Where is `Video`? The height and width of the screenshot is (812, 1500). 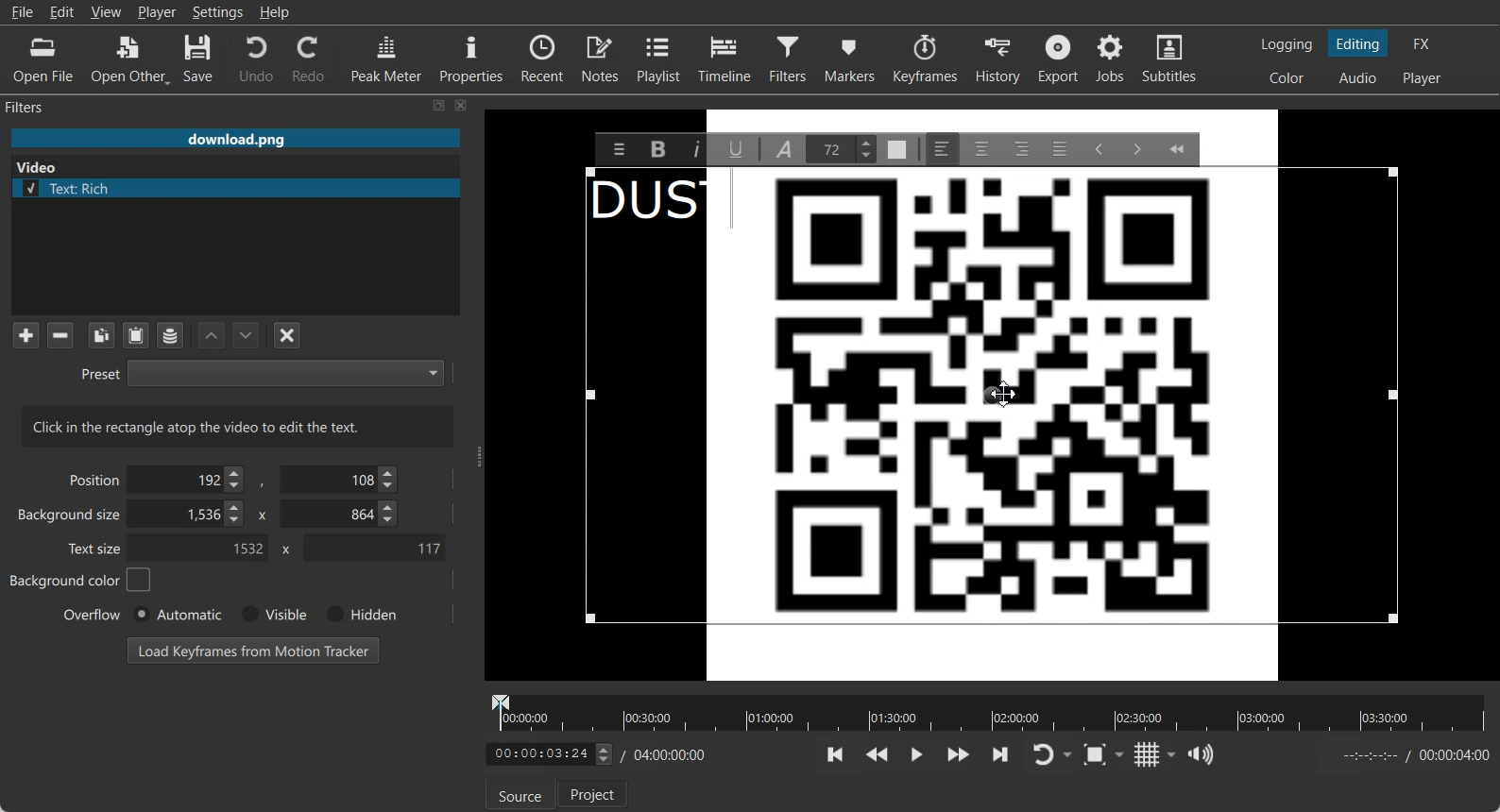
Video is located at coordinates (41, 165).